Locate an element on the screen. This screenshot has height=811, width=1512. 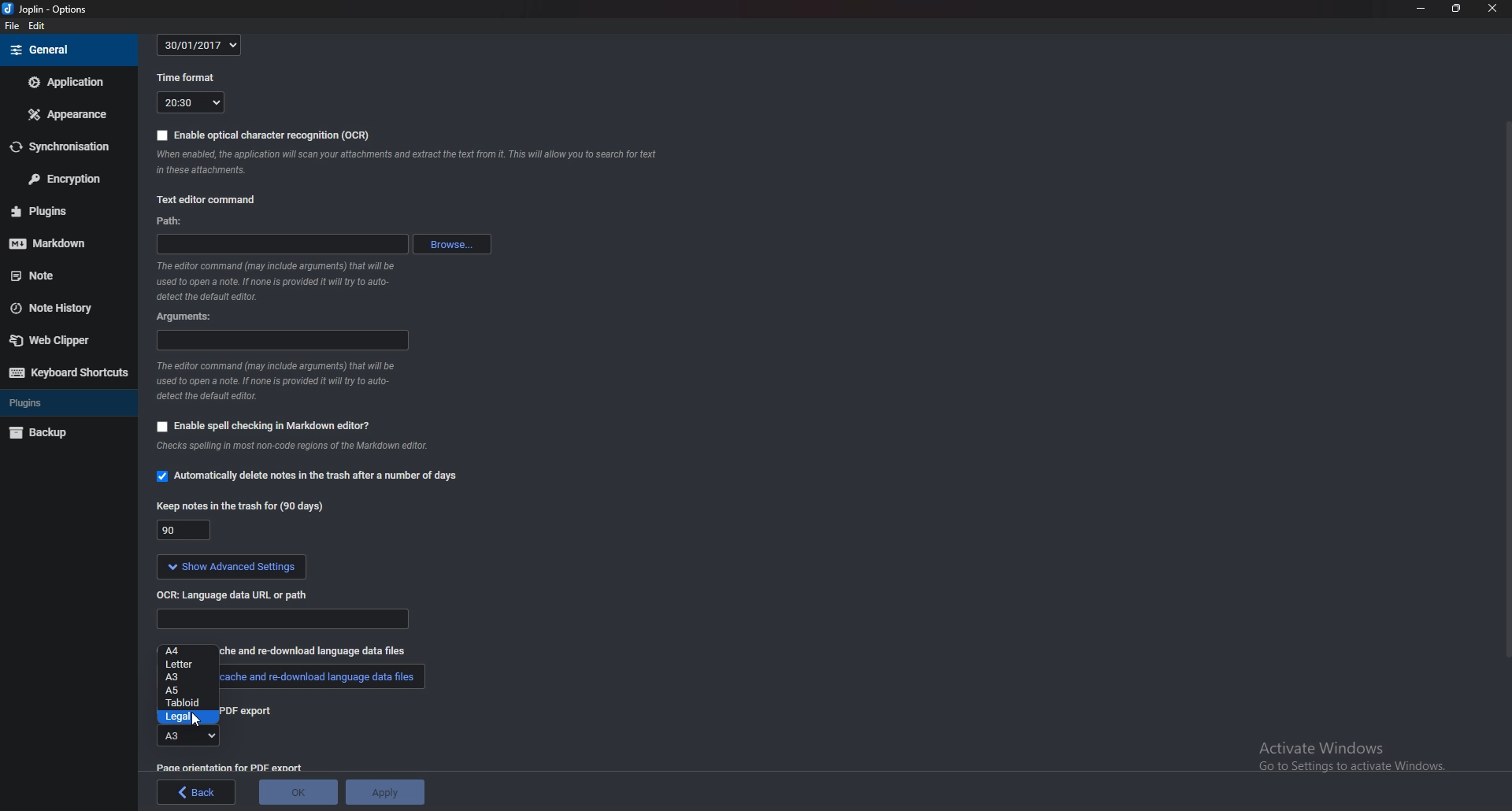
Show advanced settings is located at coordinates (232, 568).